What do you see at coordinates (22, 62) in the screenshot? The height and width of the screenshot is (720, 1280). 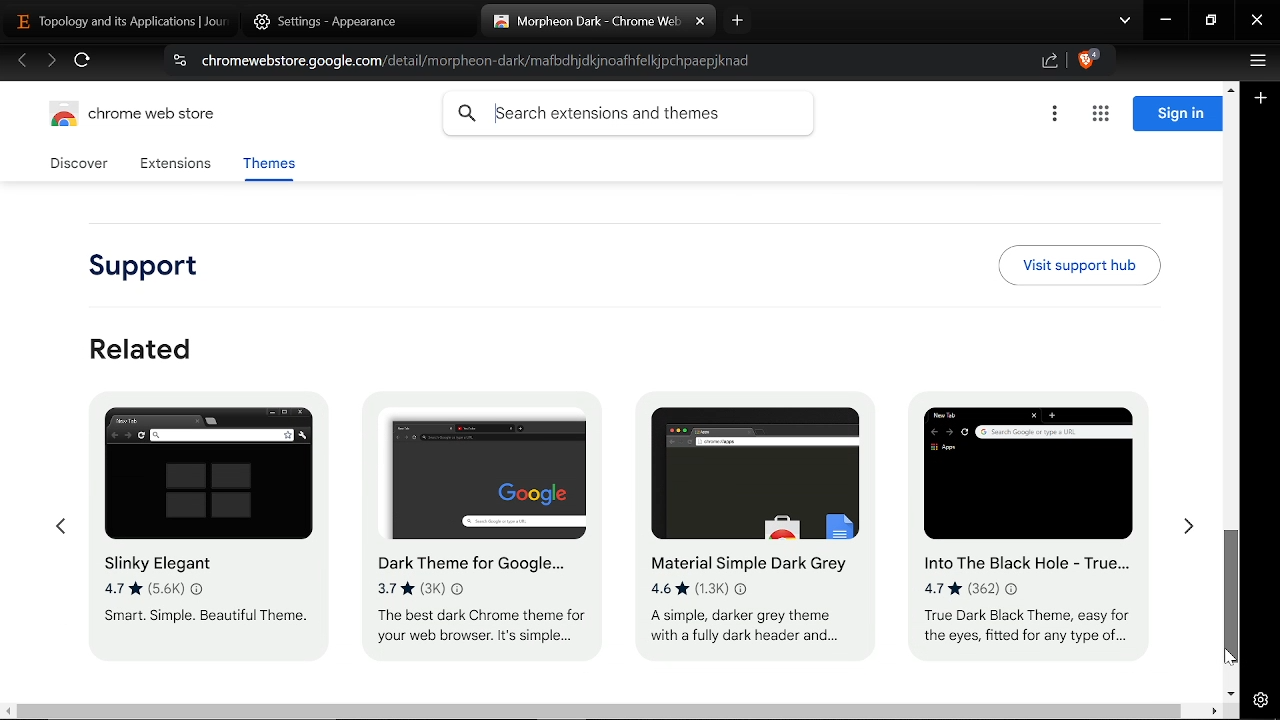 I see `Previous page` at bounding box center [22, 62].